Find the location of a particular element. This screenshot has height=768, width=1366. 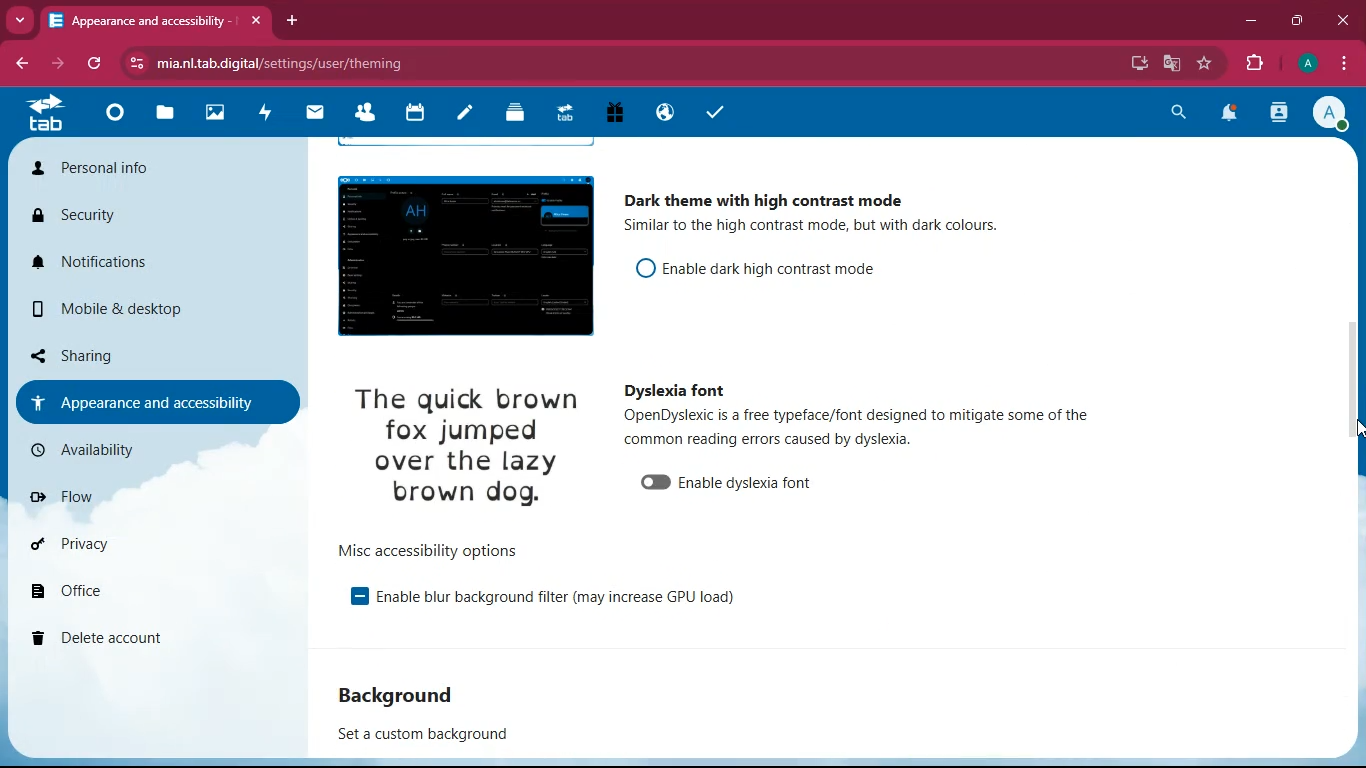

mail is located at coordinates (320, 112).